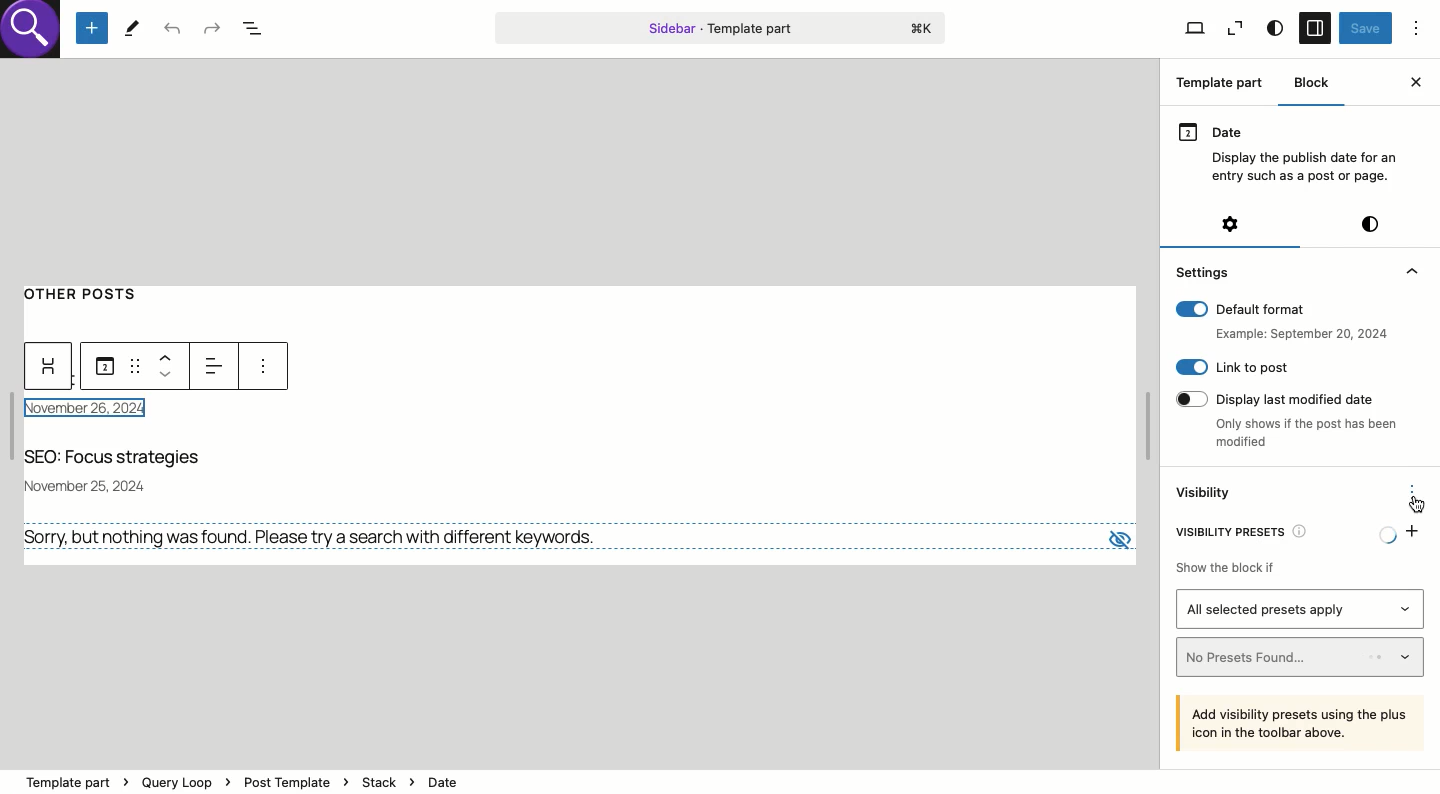 The height and width of the screenshot is (794, 1440). What do you see at coordinates (1417, 27) in the screenshot?
I see `Options` at bounding box center [1417, 27].